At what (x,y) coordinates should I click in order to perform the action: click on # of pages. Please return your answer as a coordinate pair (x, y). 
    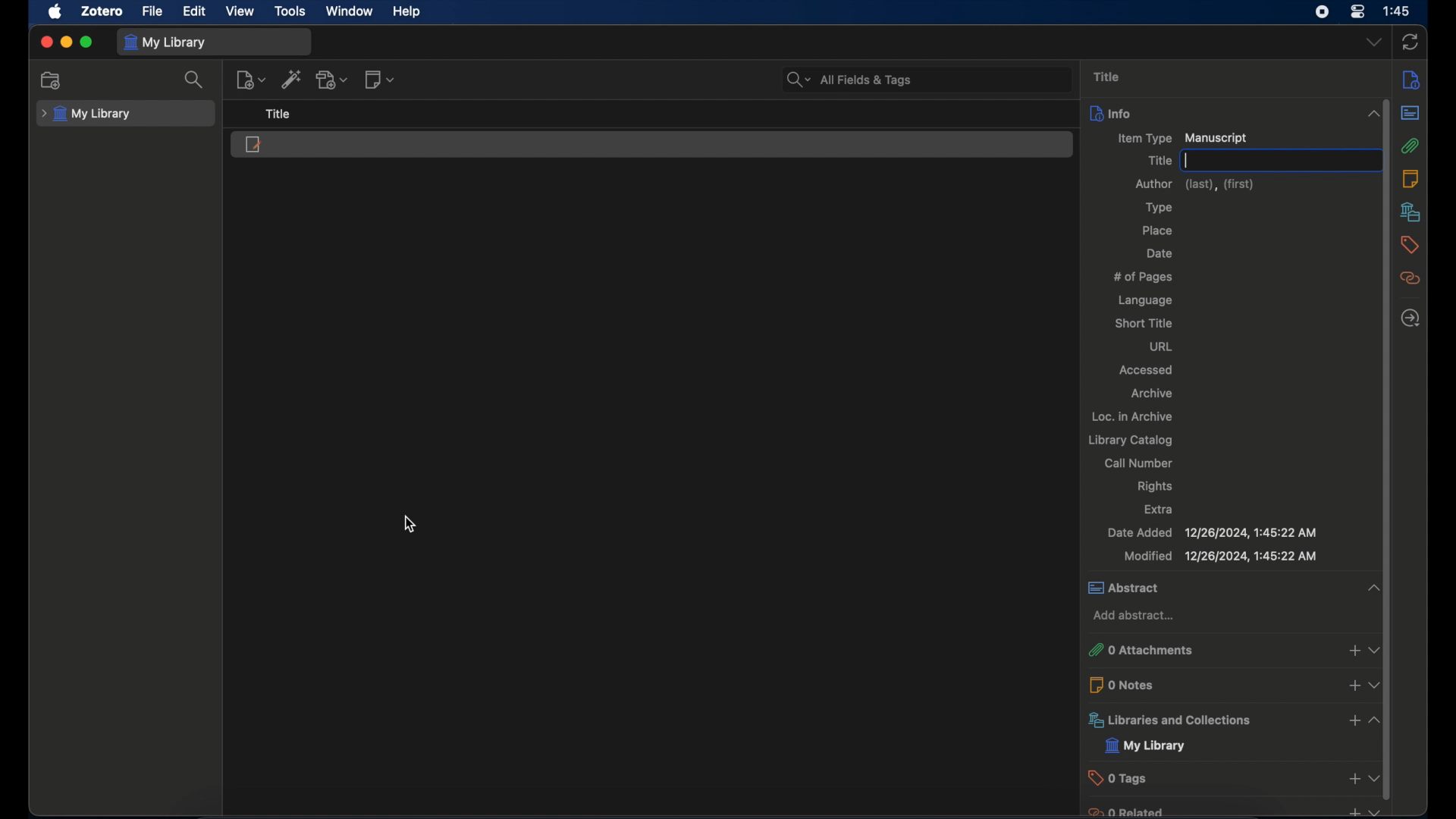
    Looking at the image, I should click on (1144, 277).